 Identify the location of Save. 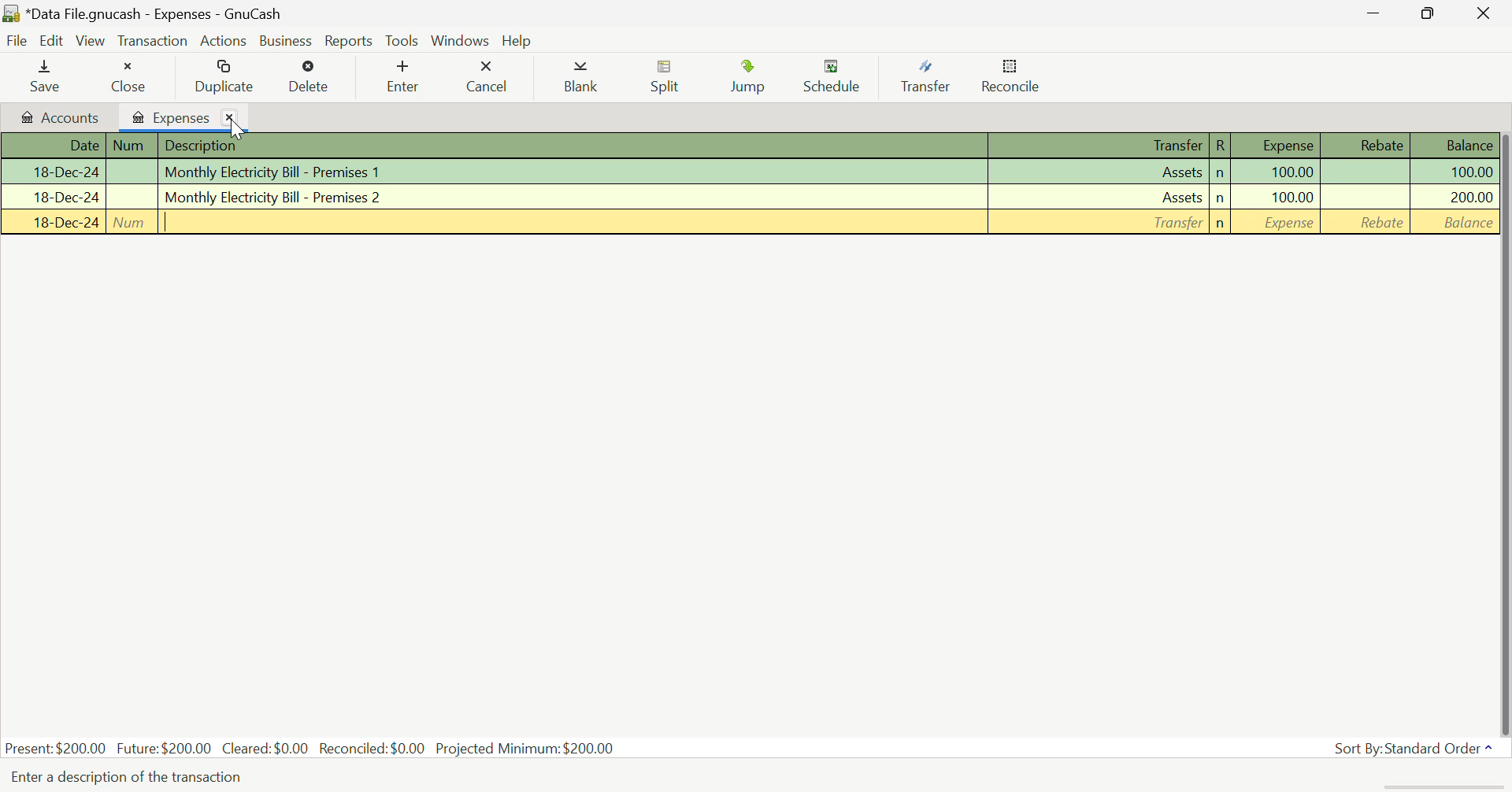
(46, 77).